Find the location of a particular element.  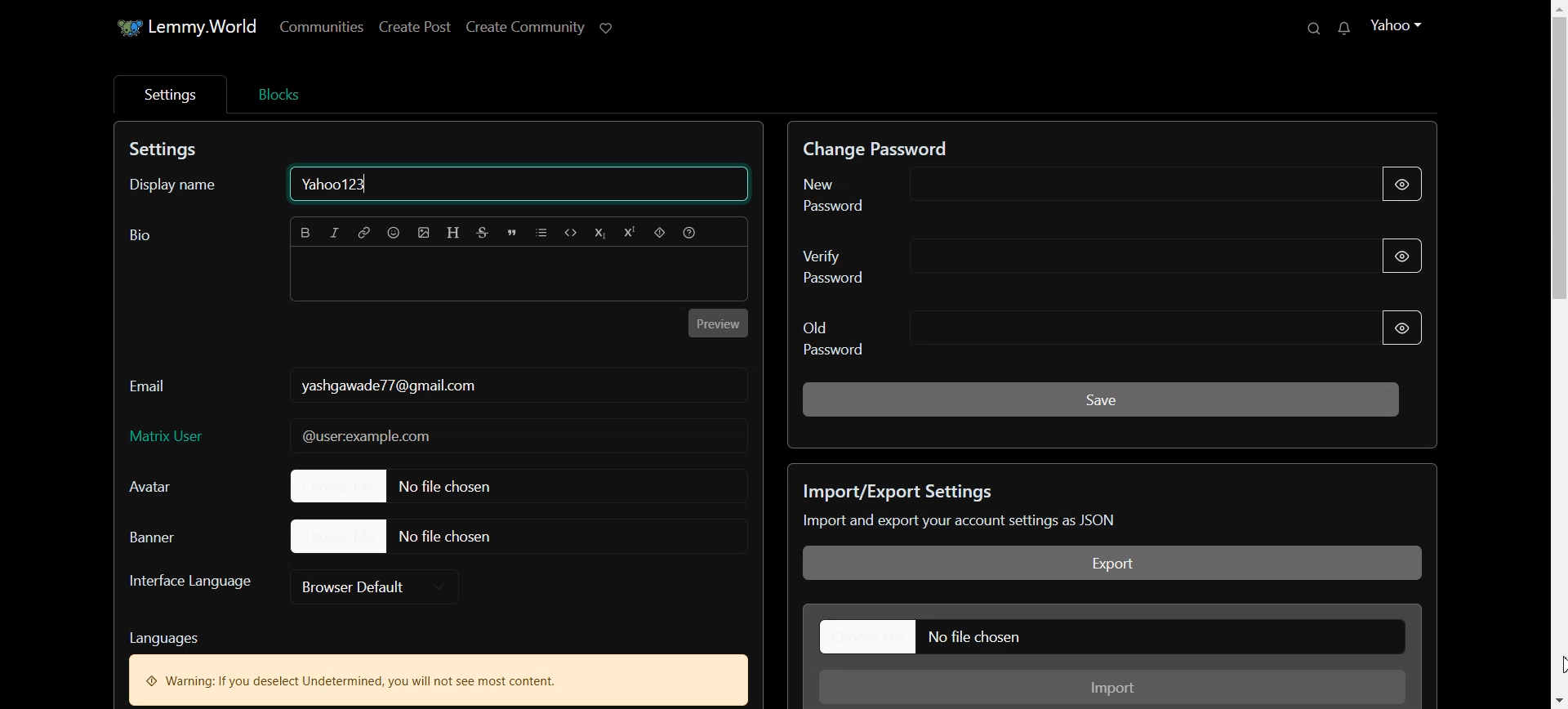

Create Community © is located at coordinates (542, 24).